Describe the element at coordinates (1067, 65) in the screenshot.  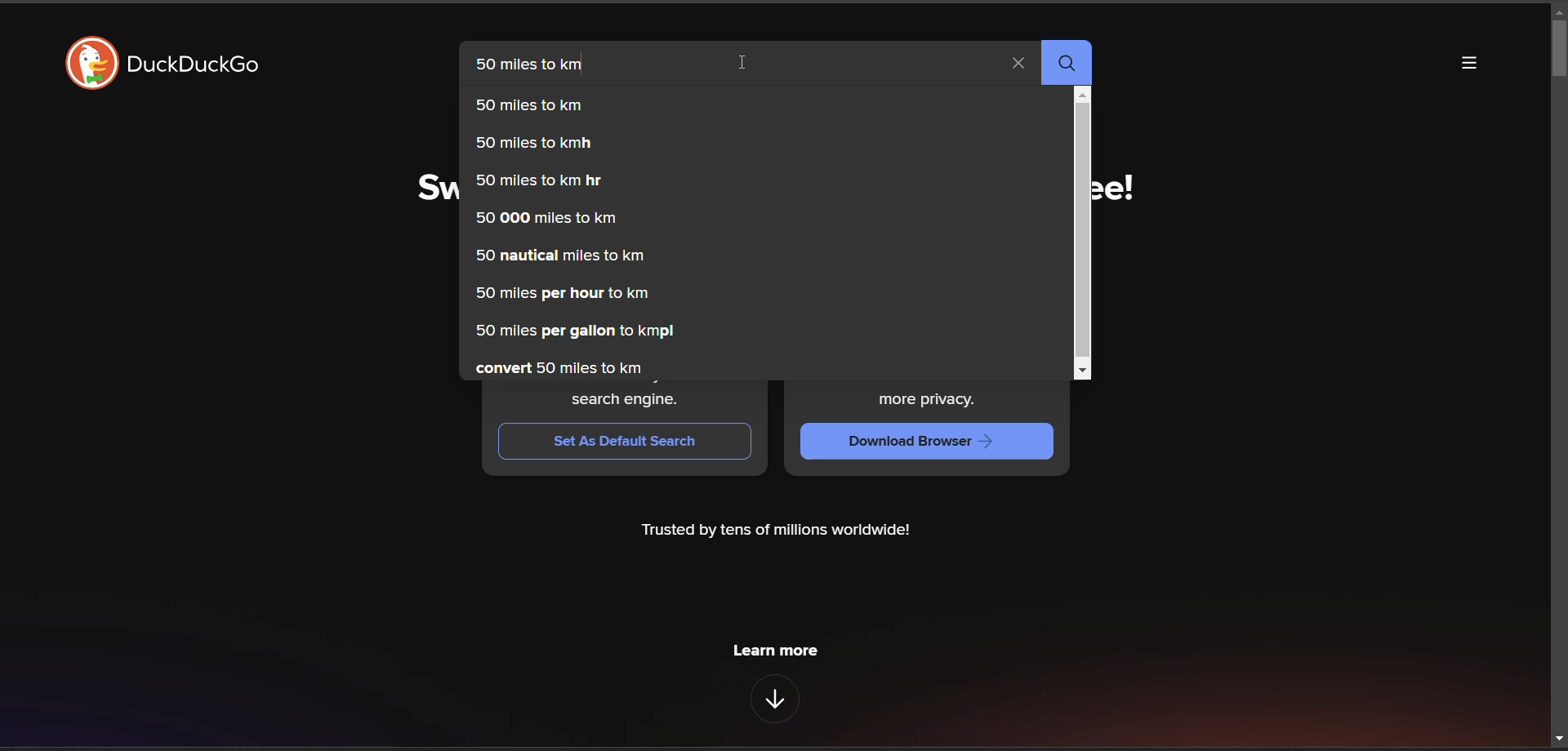
I see `search butto` at that location.